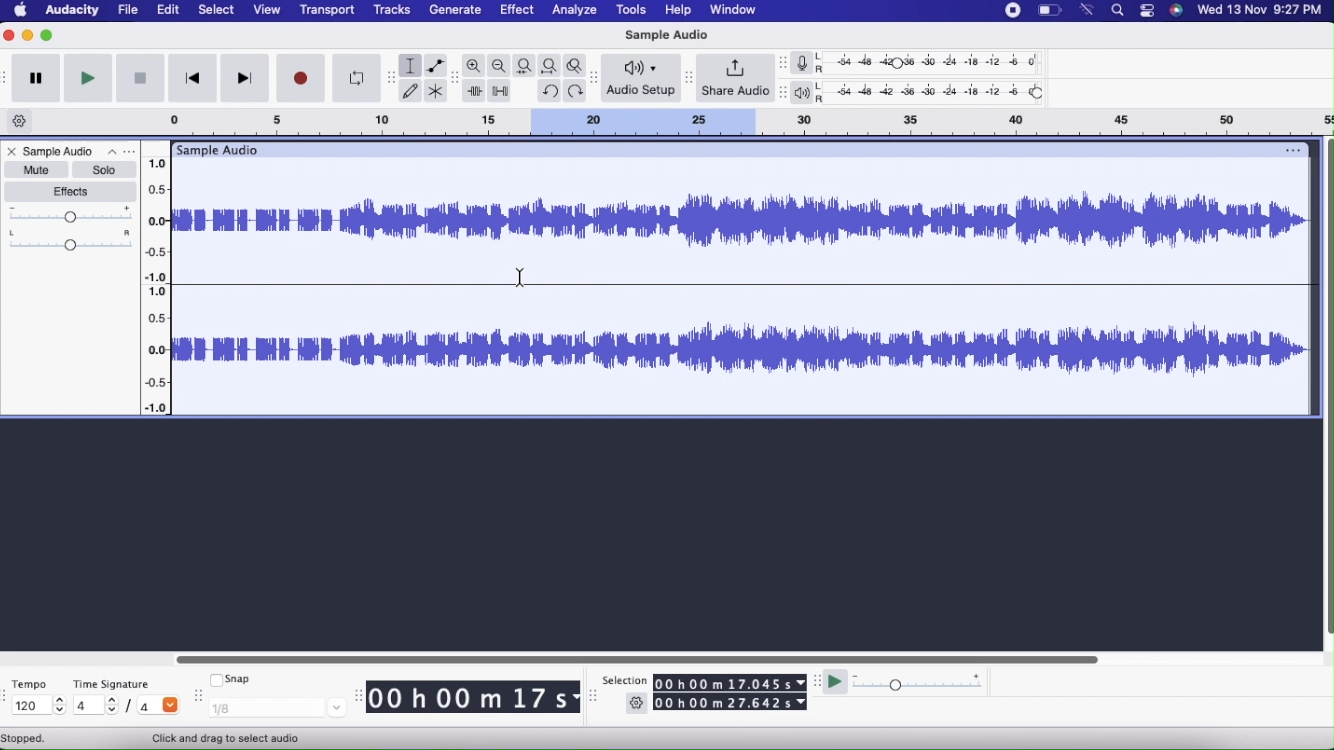  What do you see at coordinates (87, 78) in the screenshot?
I see `Play` at bounding box center [87, 78].